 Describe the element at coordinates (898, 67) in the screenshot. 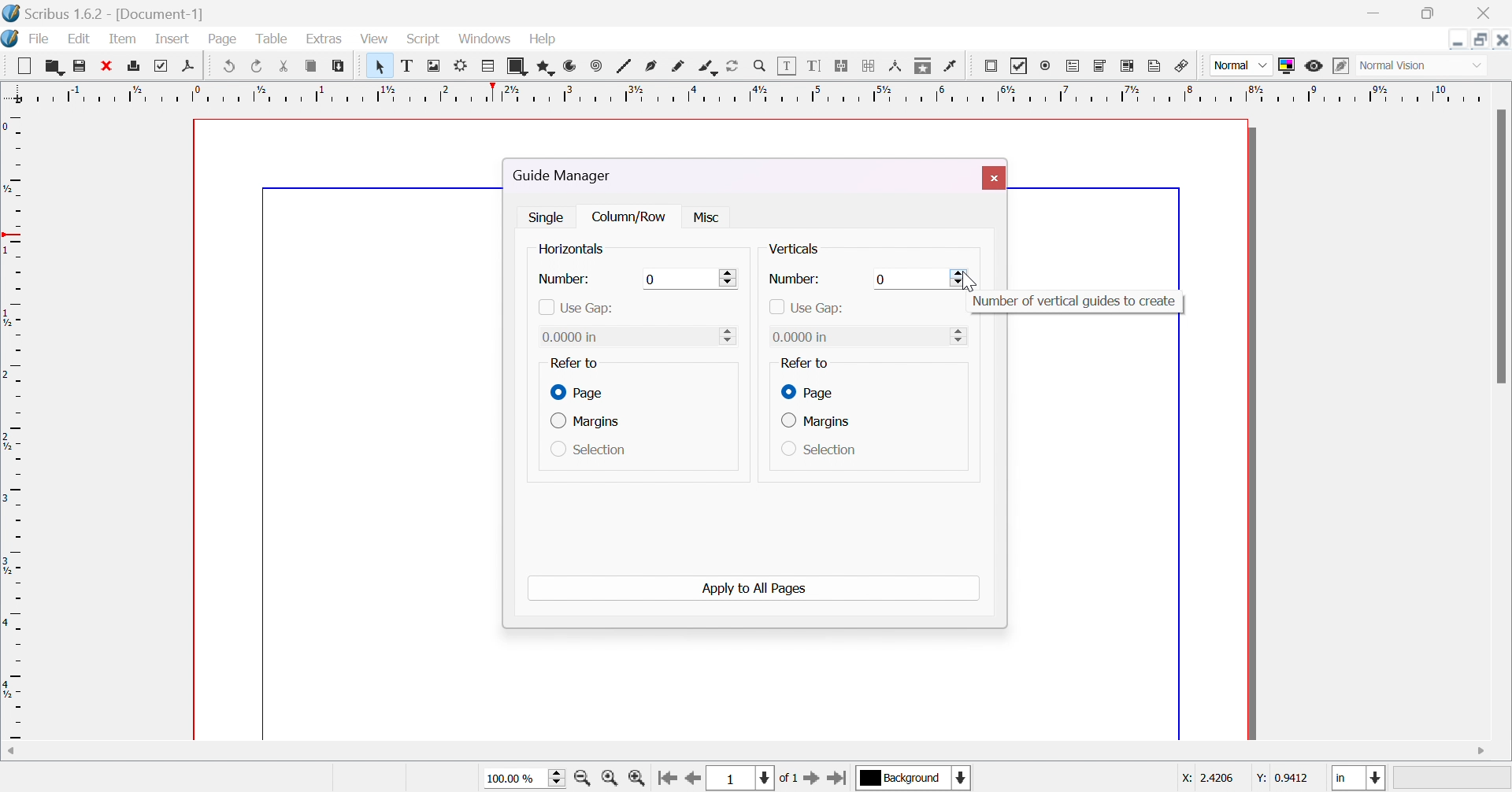

I see `measurements` at that location.